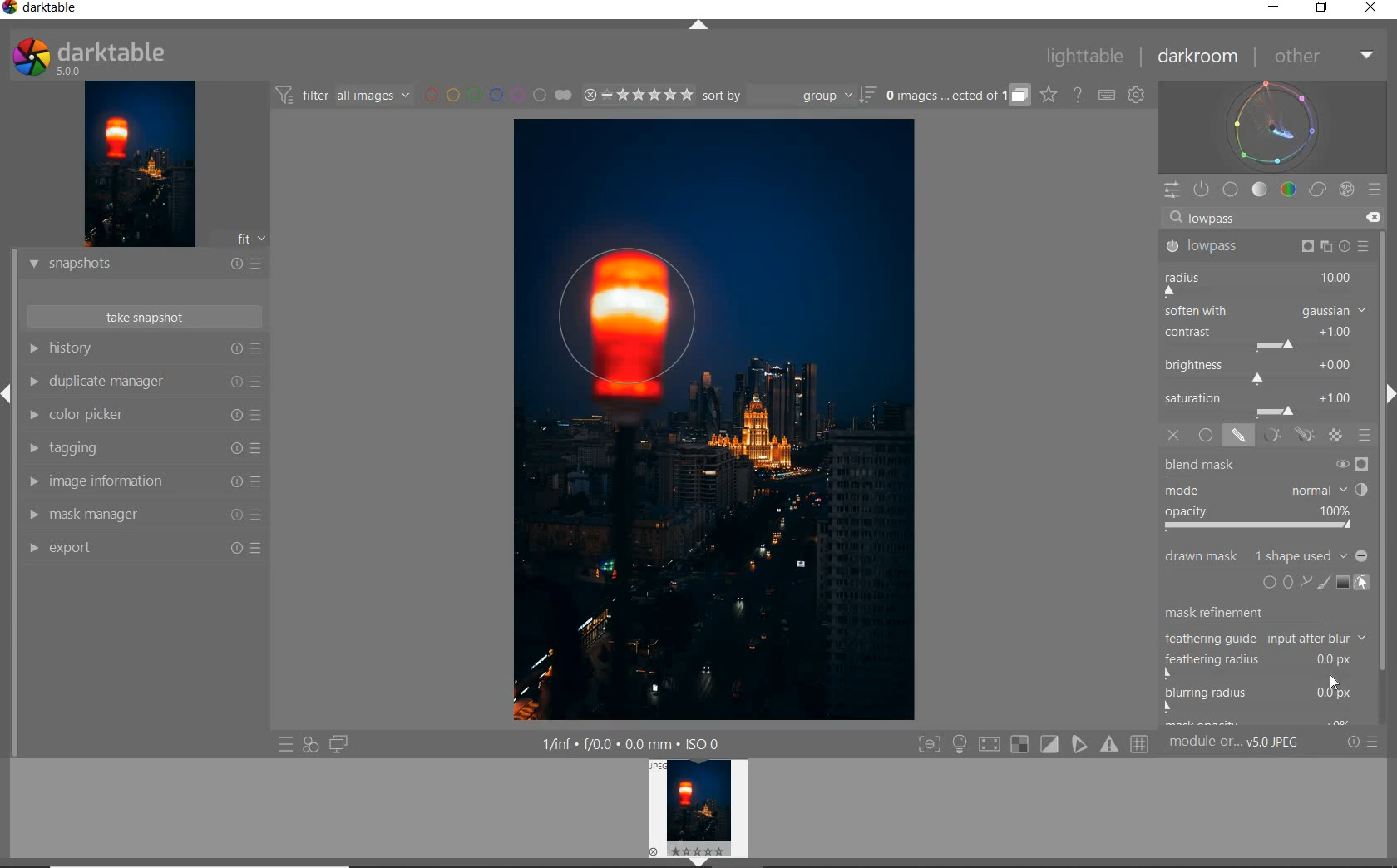  I want to click on LIGHTTABLE, so click(1087, 55).